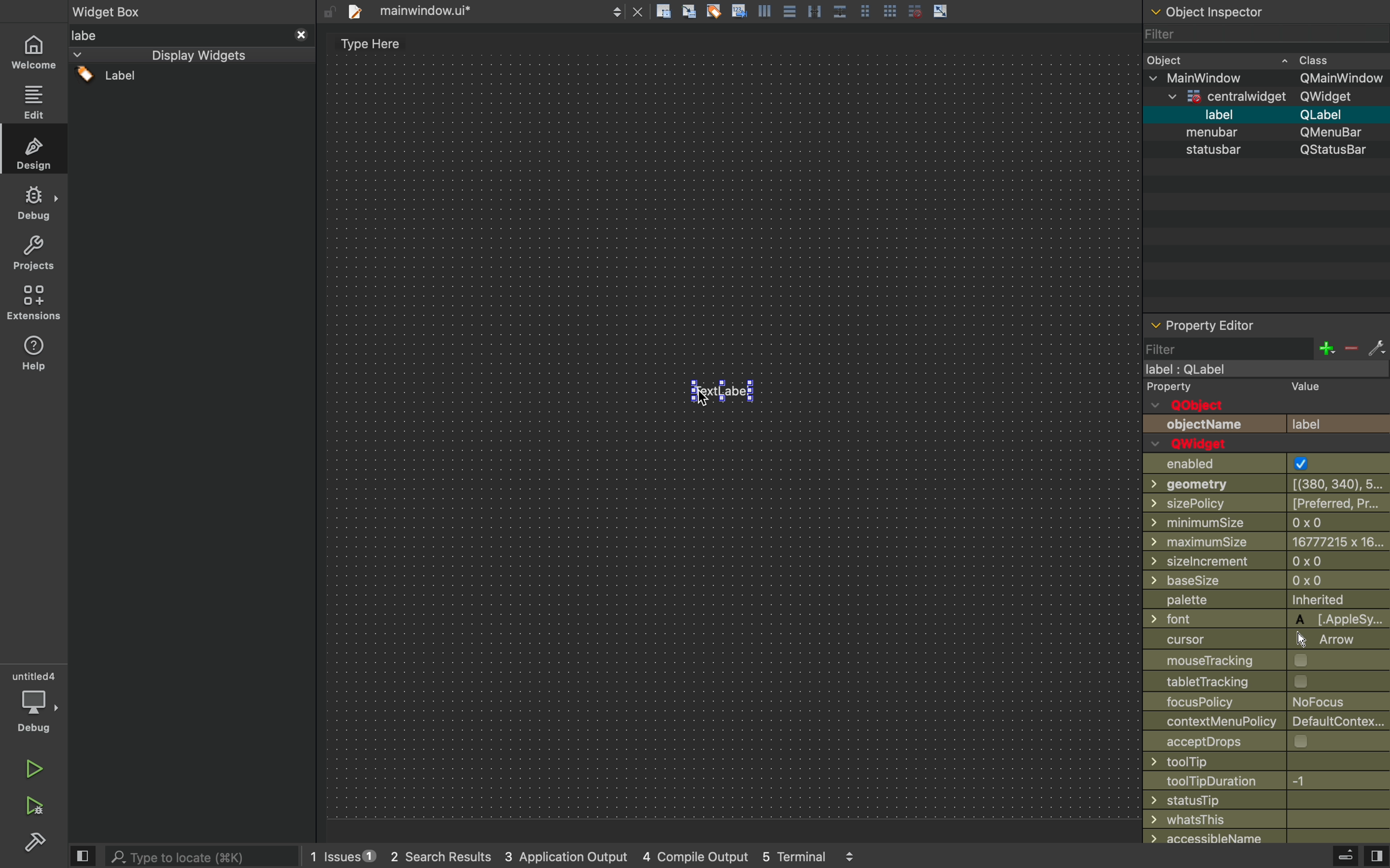  I want to click on menubar, so click(1276, 115).